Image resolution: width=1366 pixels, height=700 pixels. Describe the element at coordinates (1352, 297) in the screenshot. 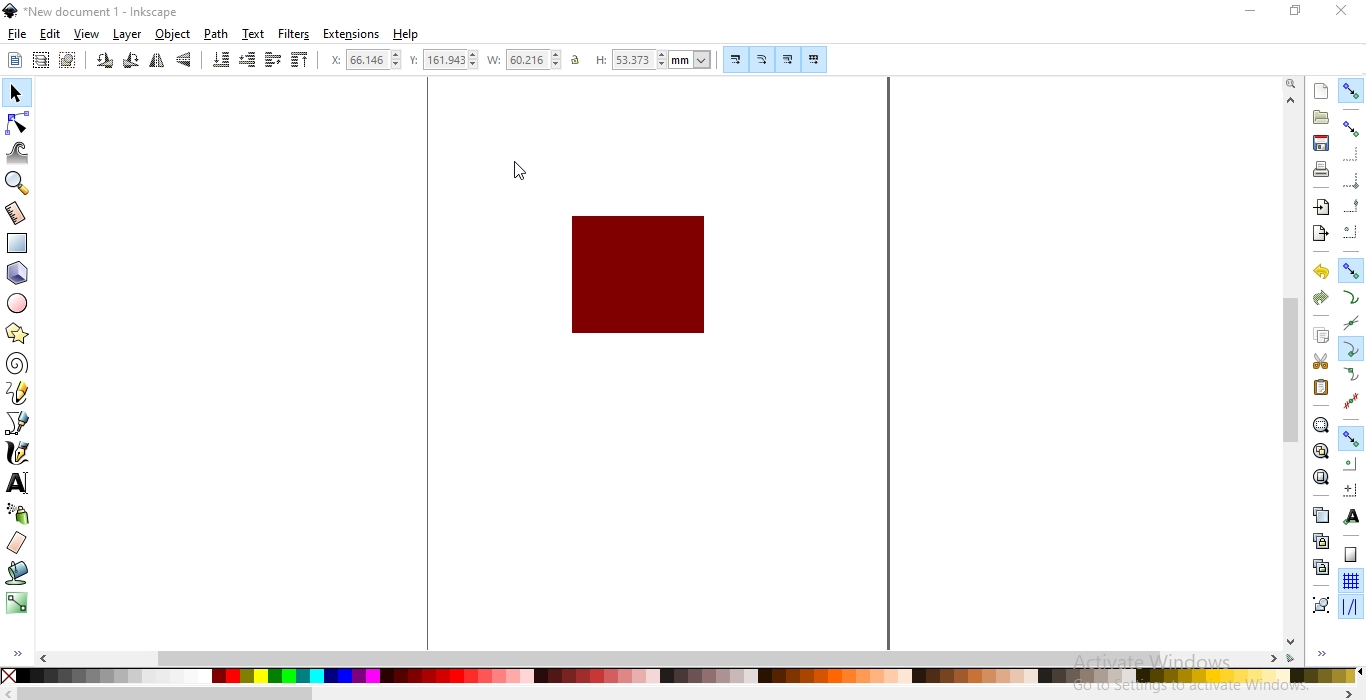

I see `snap to paths` at that location.